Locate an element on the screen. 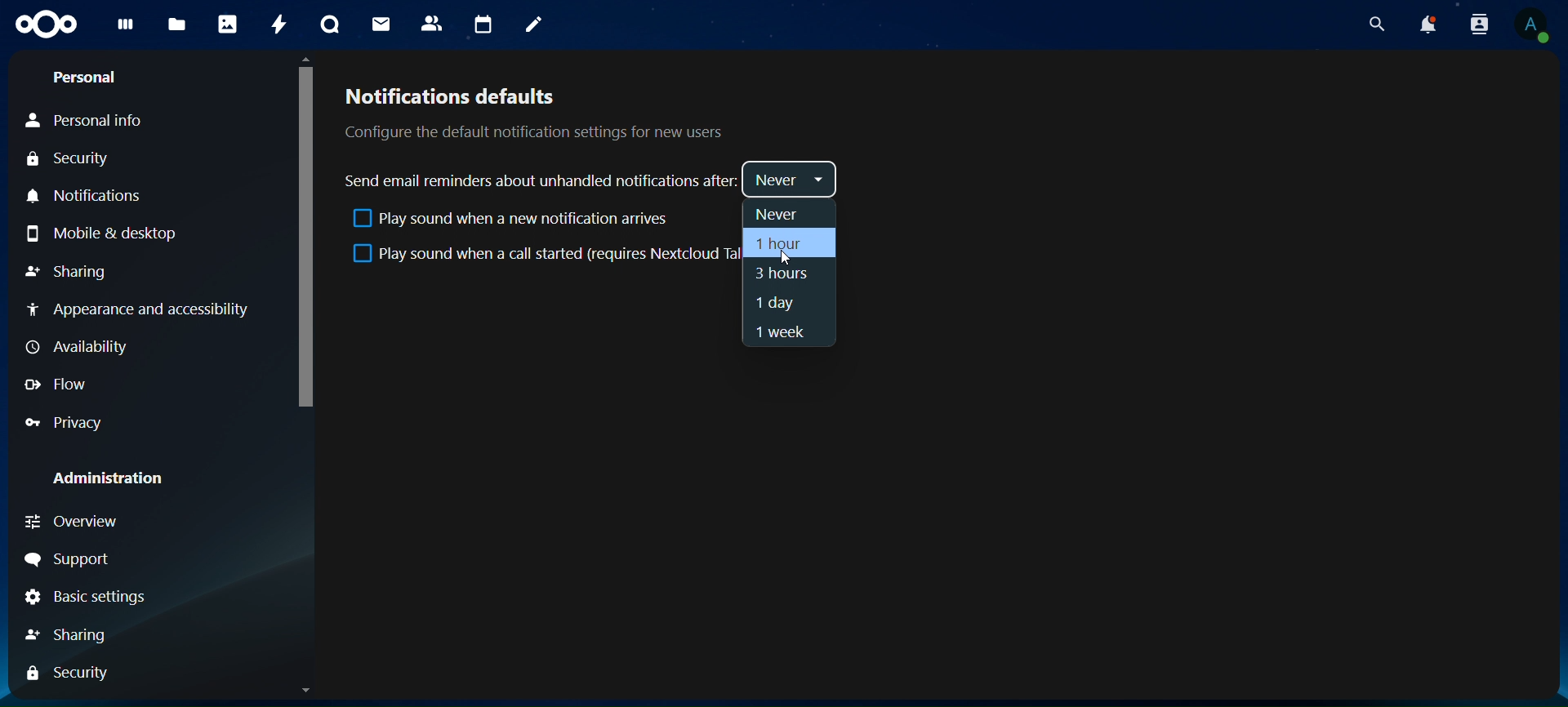 Image resolution: width=1568 pixels, height=707 pixels. talk is located at coordinates (332, 25).